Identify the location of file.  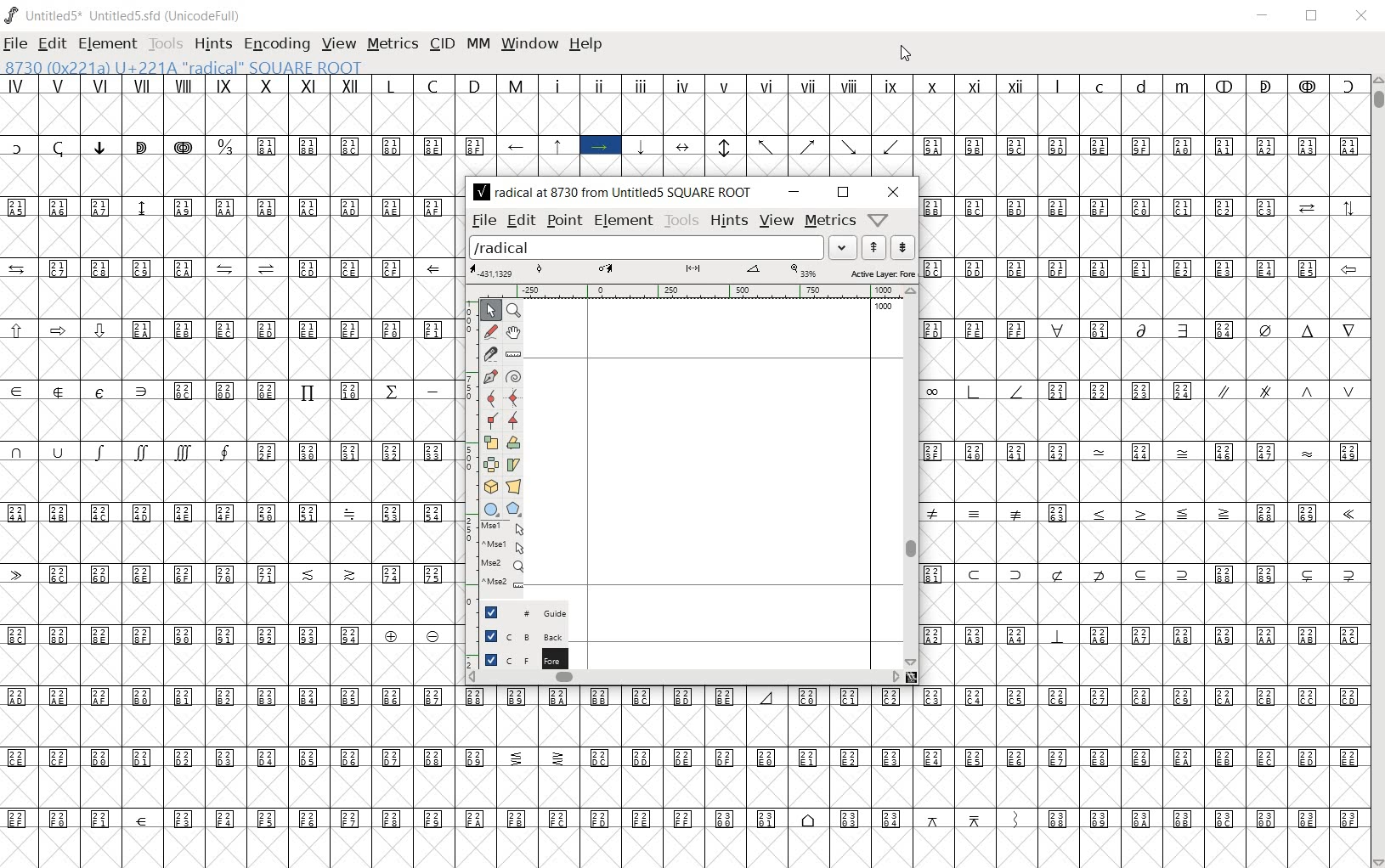
(482, 222).